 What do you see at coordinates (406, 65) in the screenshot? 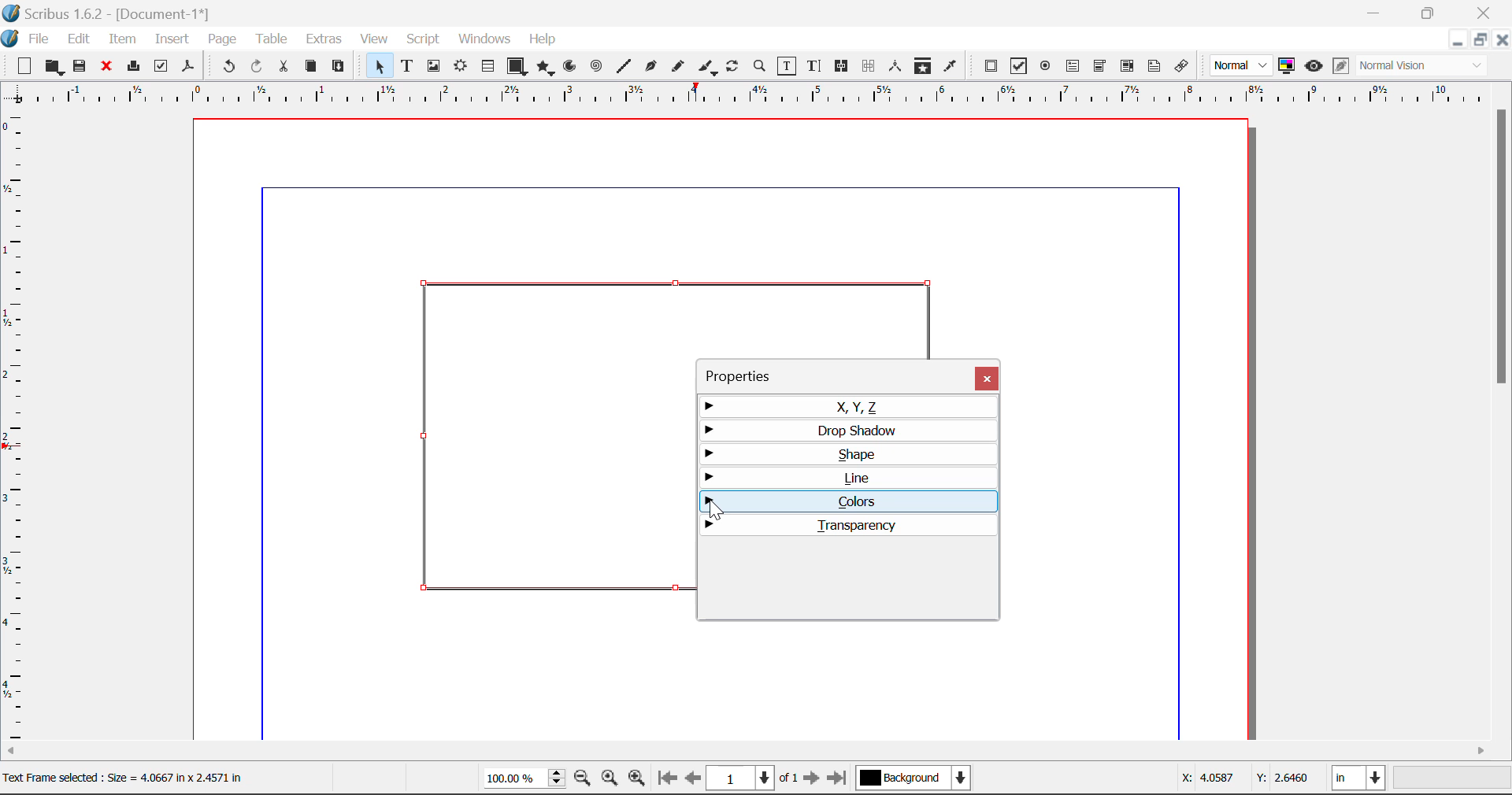
I see `Text Frame Selected` at bounding box center [406, 65].